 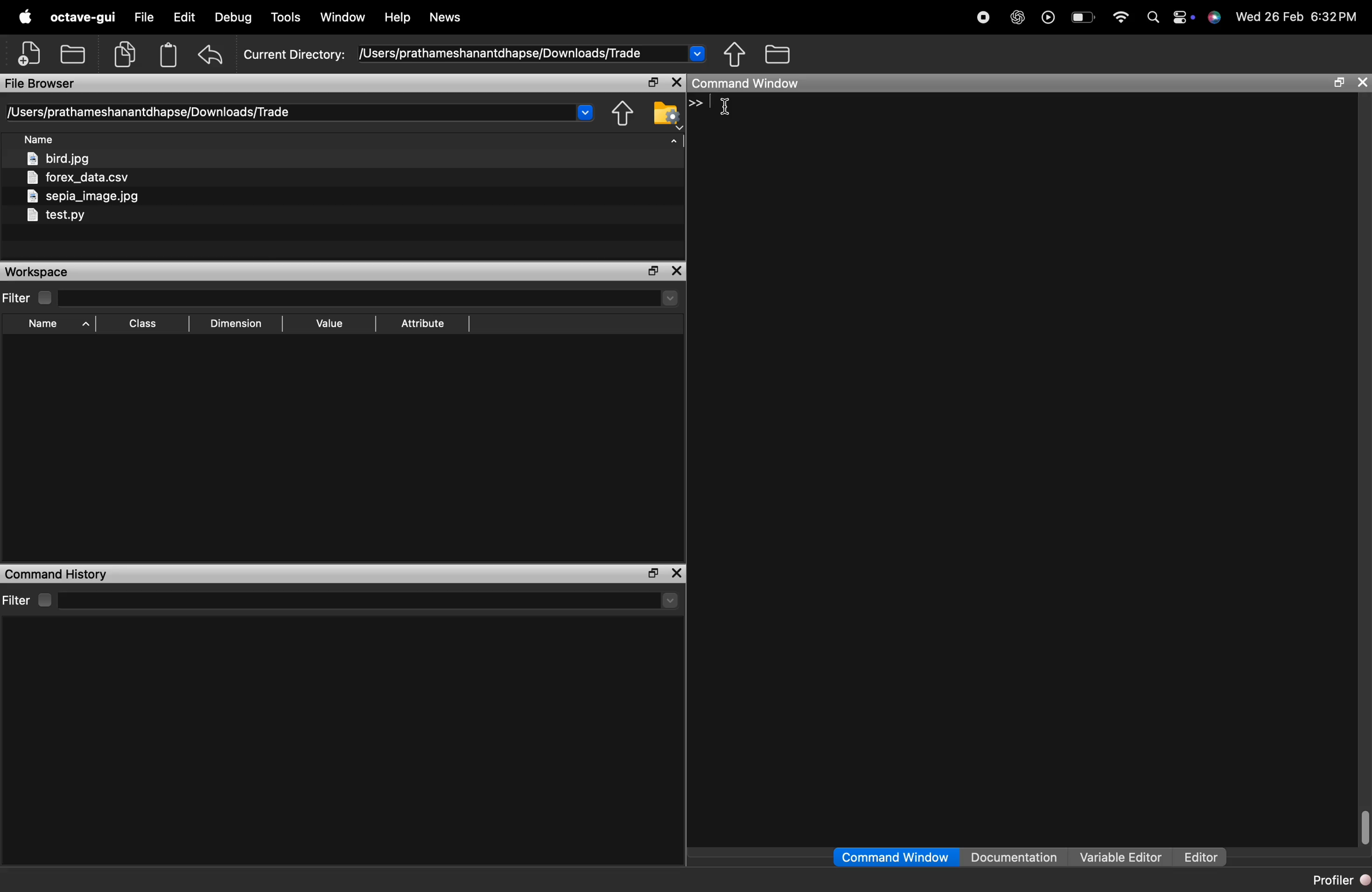 What do you see at coordinates (677, 271) in the screenshot?
I see `close` at bounding box center [677, 271].